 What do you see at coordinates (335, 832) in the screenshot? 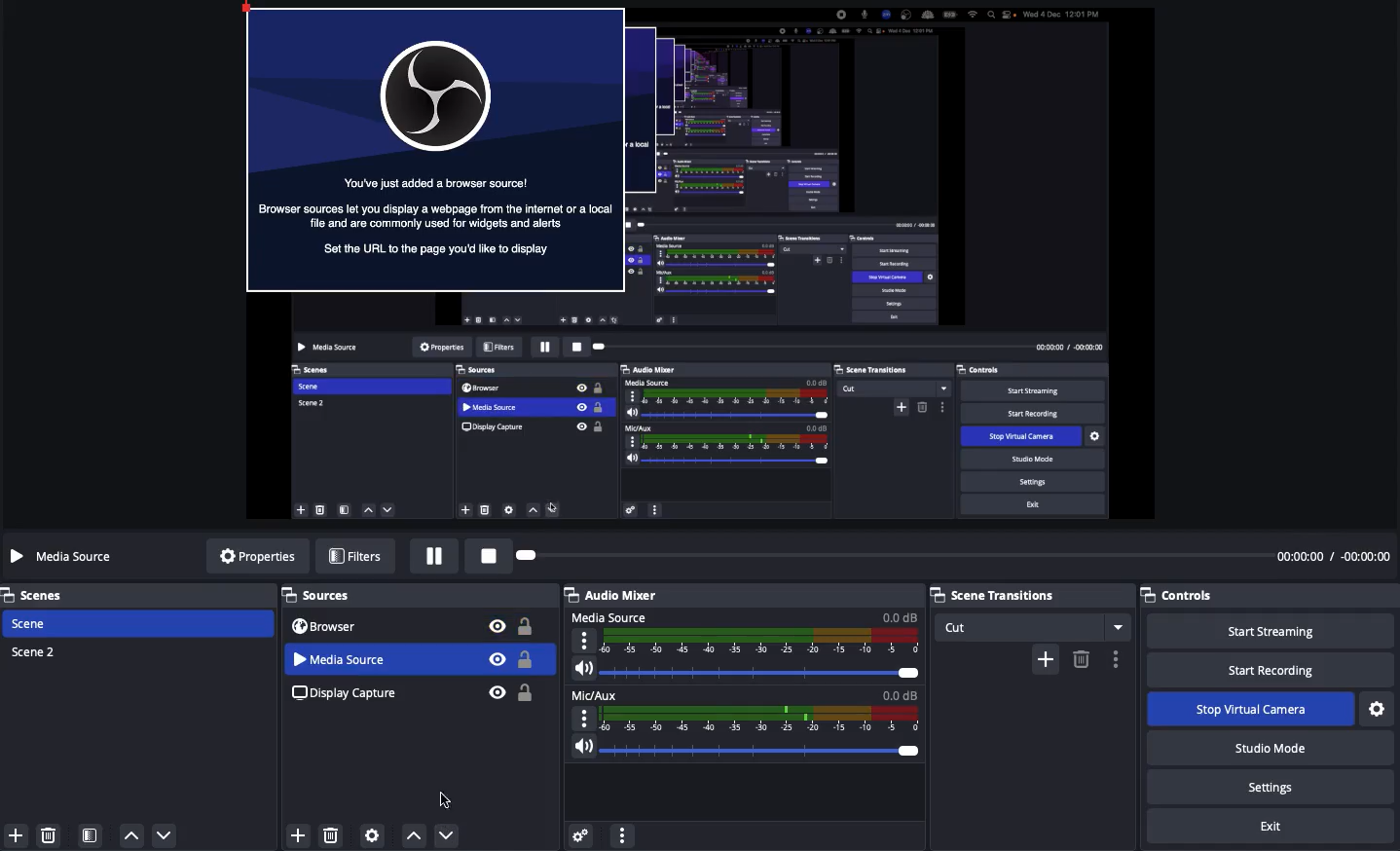
I see `Delete` at bounding box center [335, 832].